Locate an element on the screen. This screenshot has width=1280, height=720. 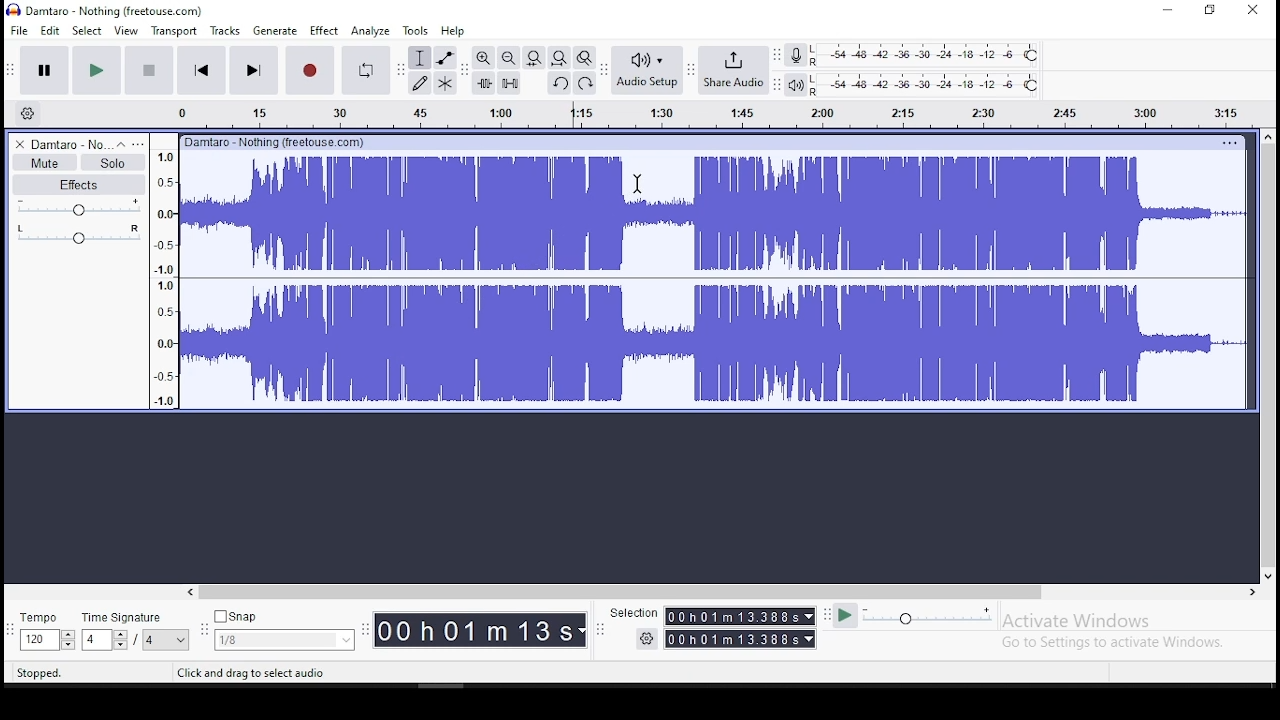
time menu is located at coordinates (739, 616).